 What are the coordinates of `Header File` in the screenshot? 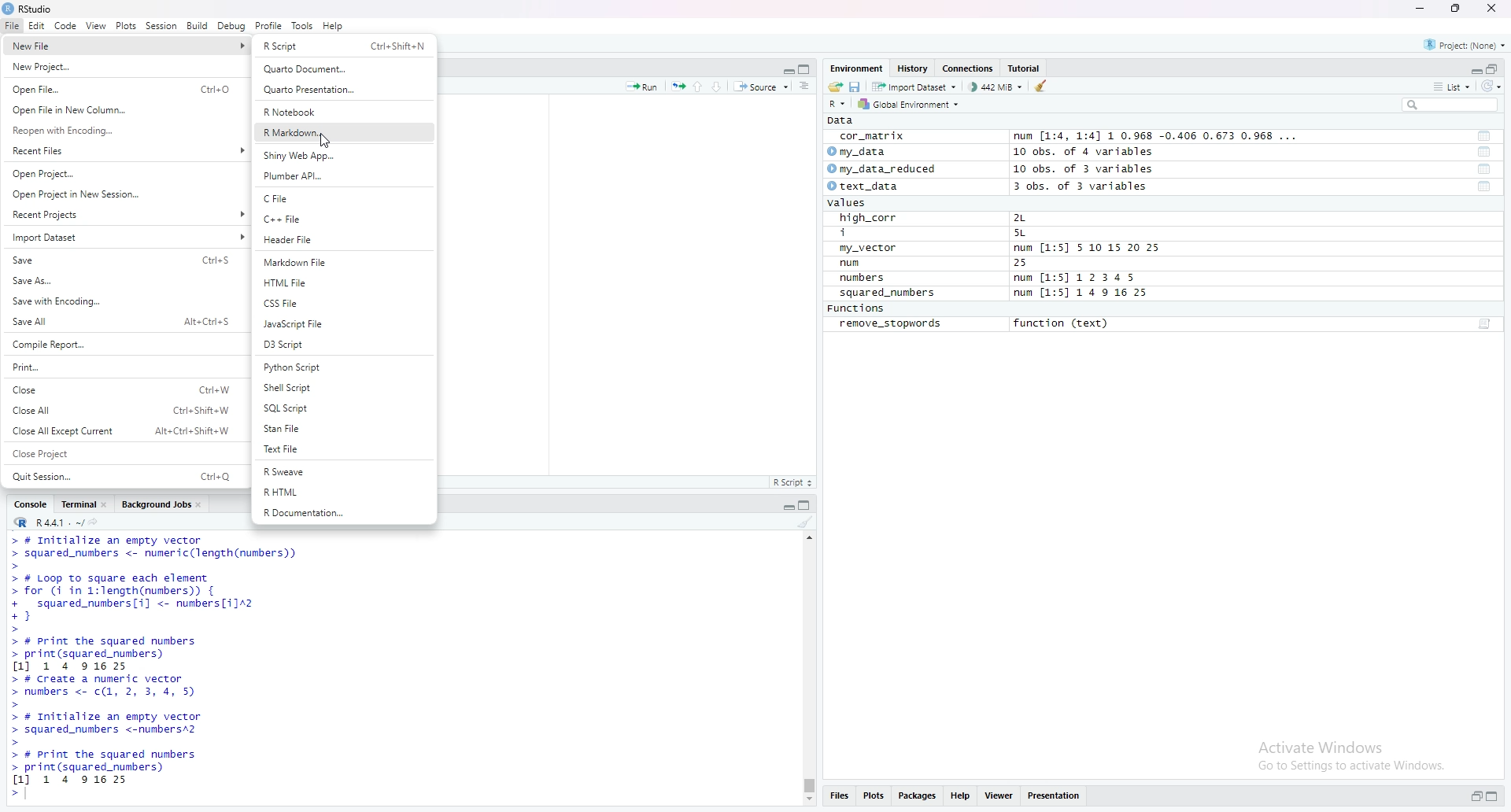 It's located at (338, 240).